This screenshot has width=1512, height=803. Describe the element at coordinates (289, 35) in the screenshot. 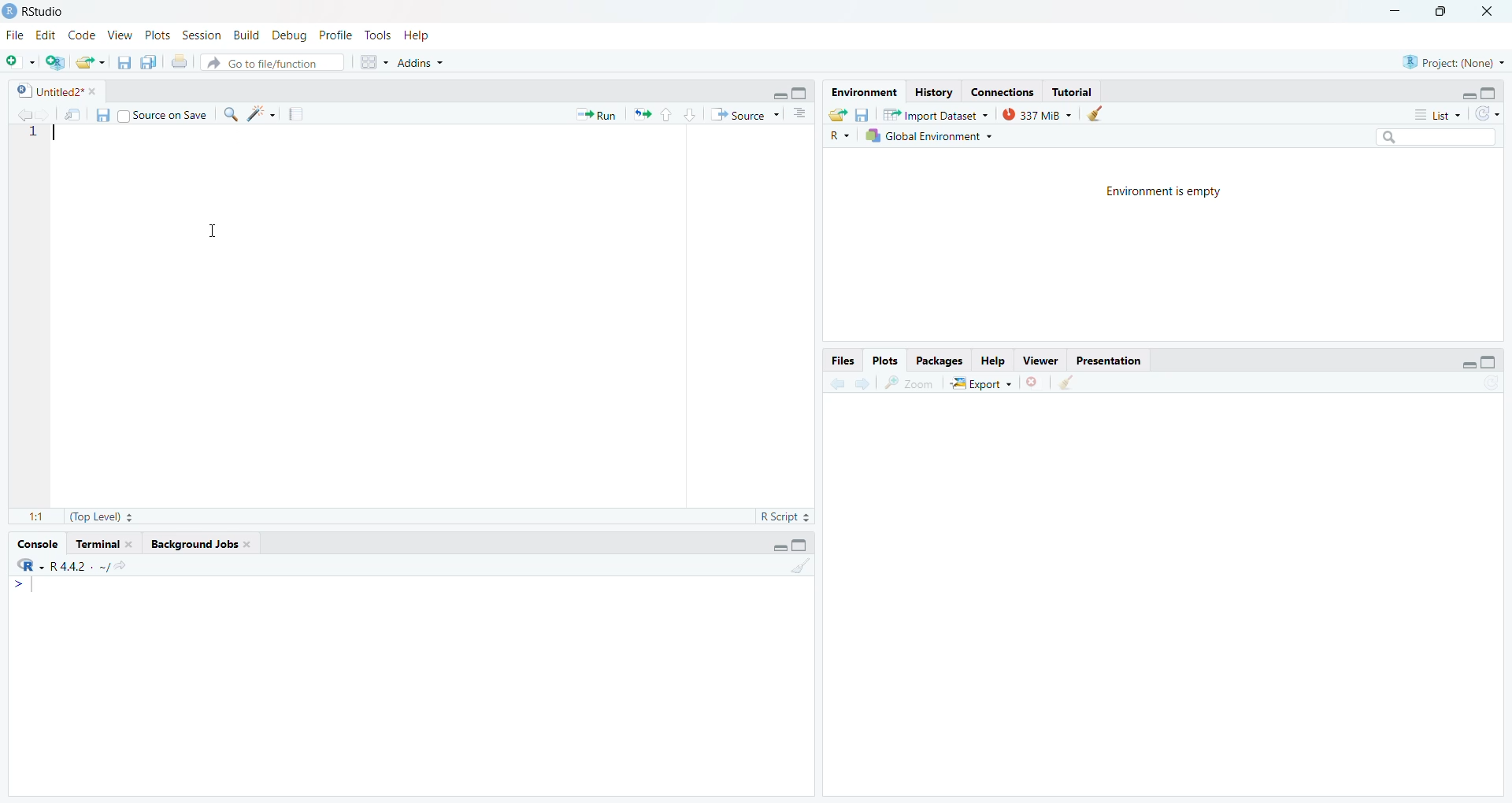

I see `Debug` at that location.